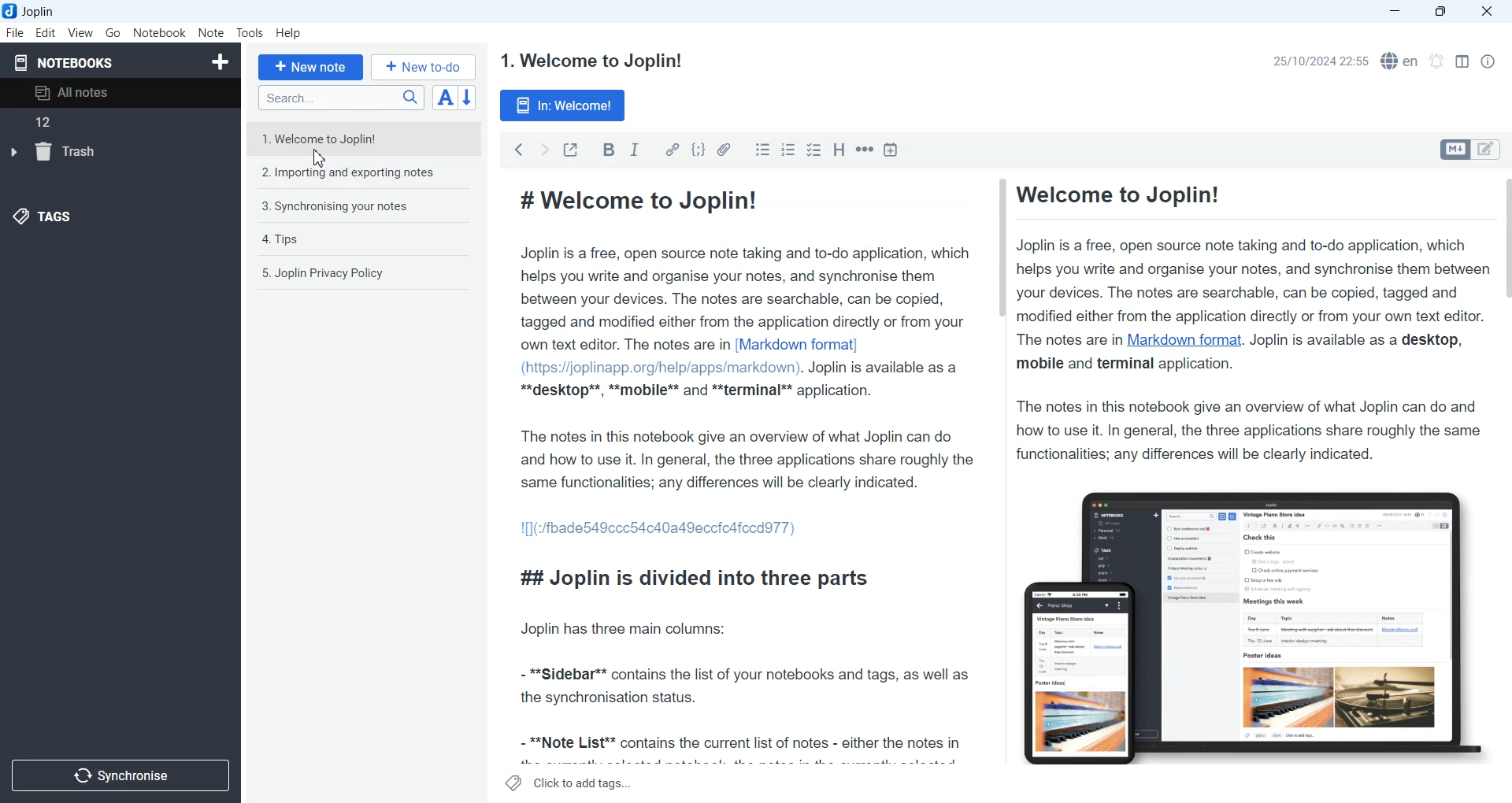 The image size is (1512, 803). Describe the element at coordinates (762, 149) in the screenshot. I see `Bulleted list` at that location.